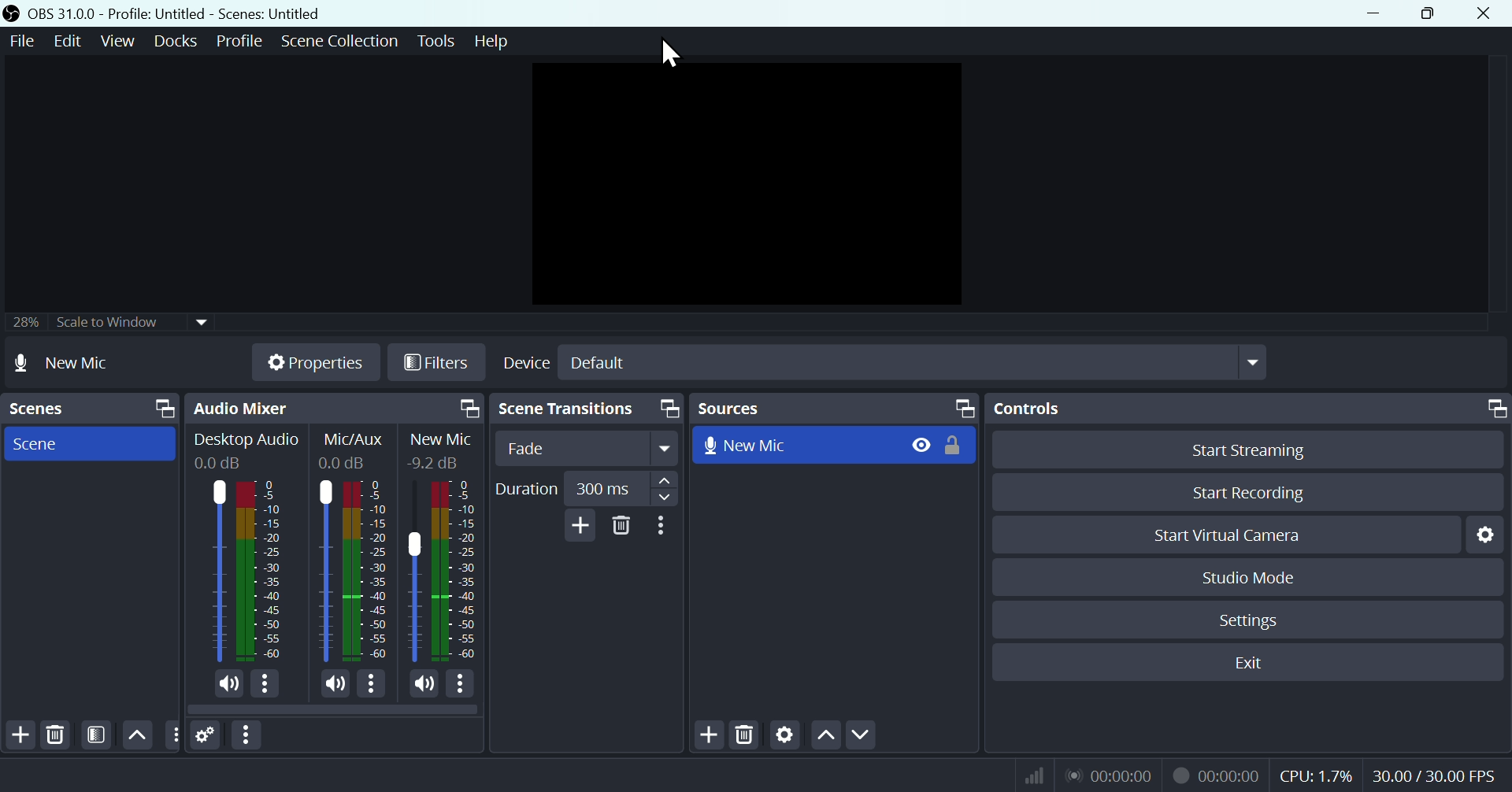 Image resolution: width=1512 pixels, height=792 pixels. Describe the element at coordinates (437, 365) in the screenshot. I see `Filtres` at that location.